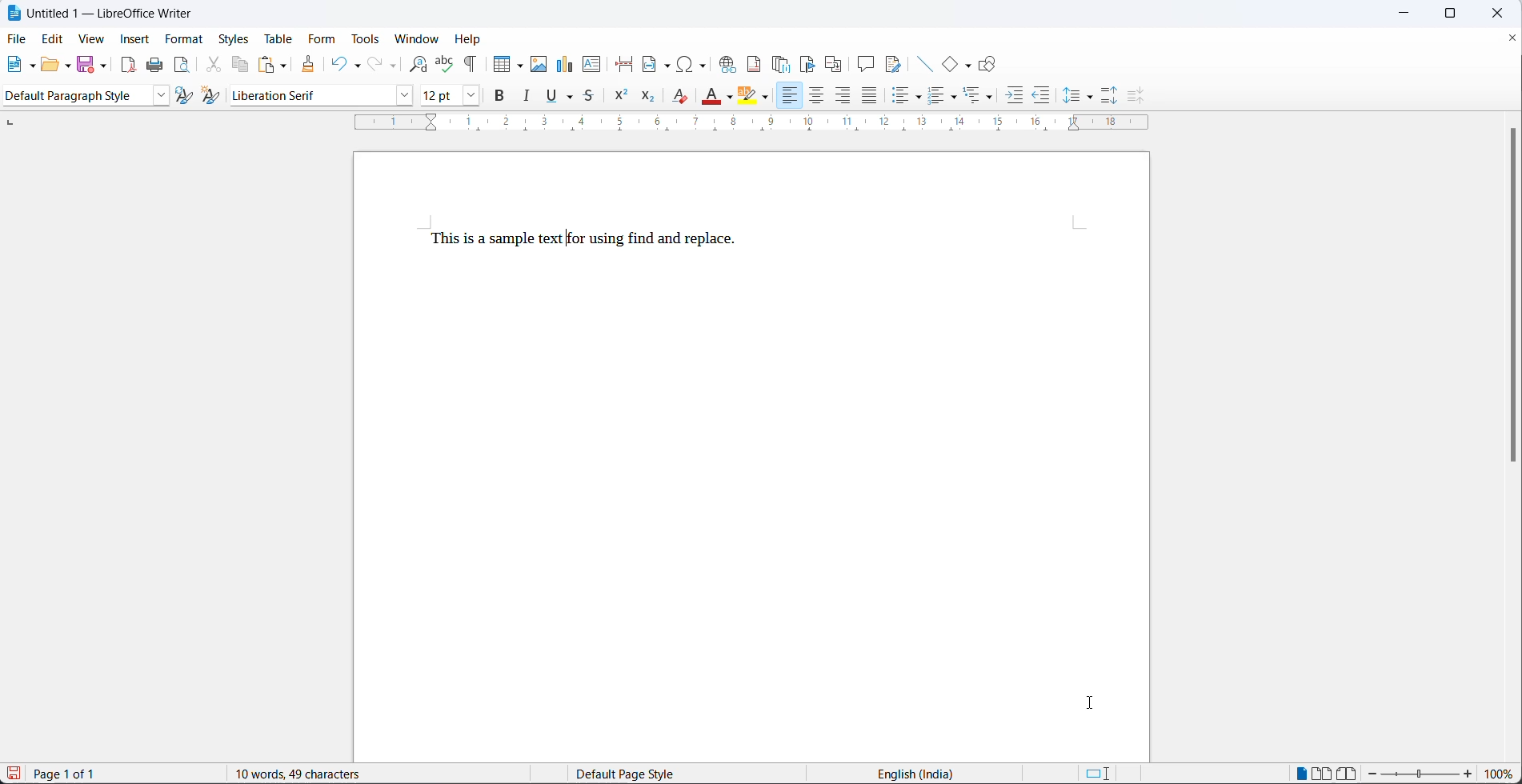 The height and width of the screenshot is (784, 1522). Describe the element at coordinates (69, 64) in the screenshot. I see `open options` at that location.